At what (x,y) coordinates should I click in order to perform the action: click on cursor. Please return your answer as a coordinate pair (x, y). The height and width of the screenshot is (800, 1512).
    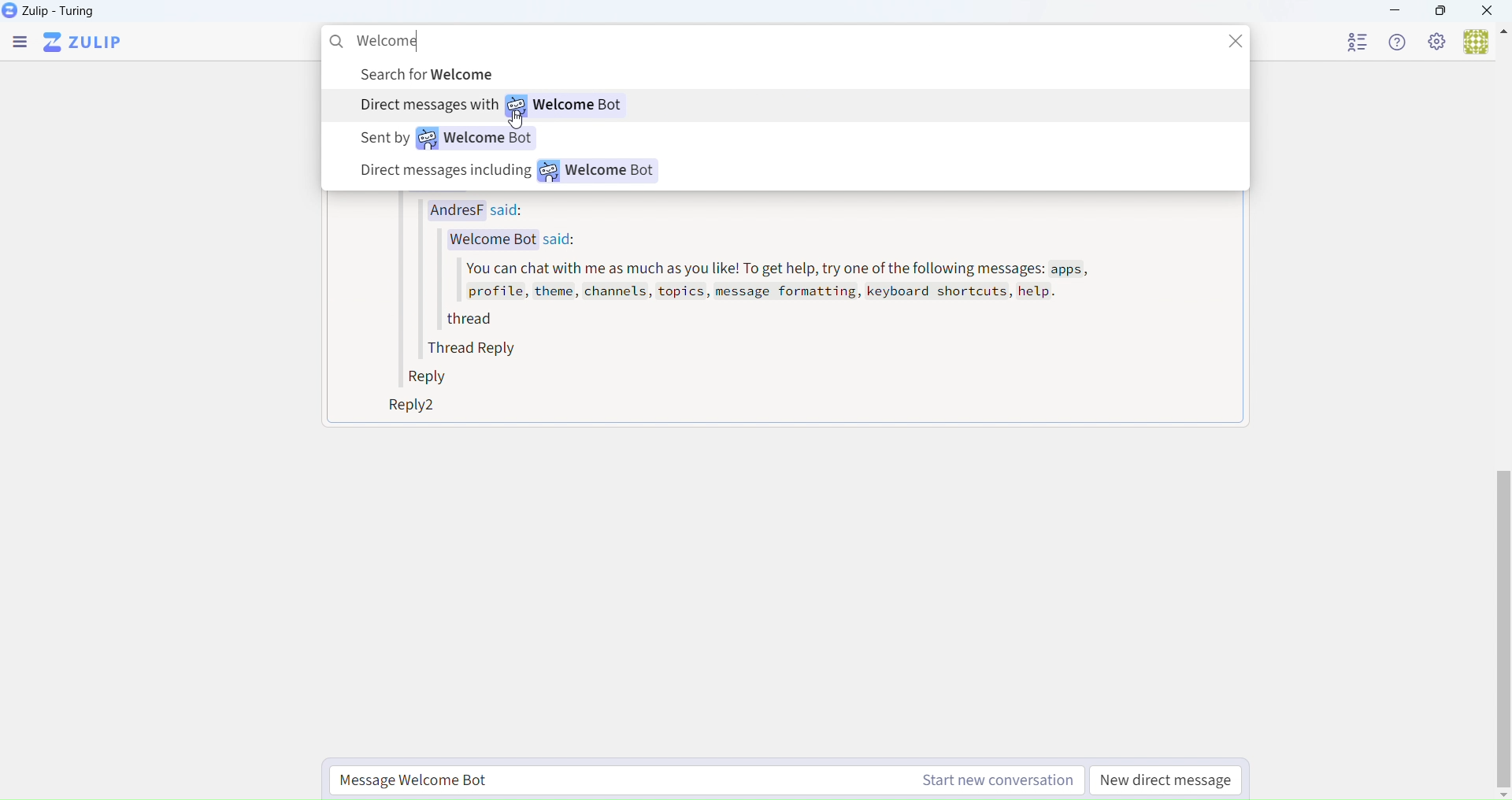
    Looking at the image, I should click on (522, 123).